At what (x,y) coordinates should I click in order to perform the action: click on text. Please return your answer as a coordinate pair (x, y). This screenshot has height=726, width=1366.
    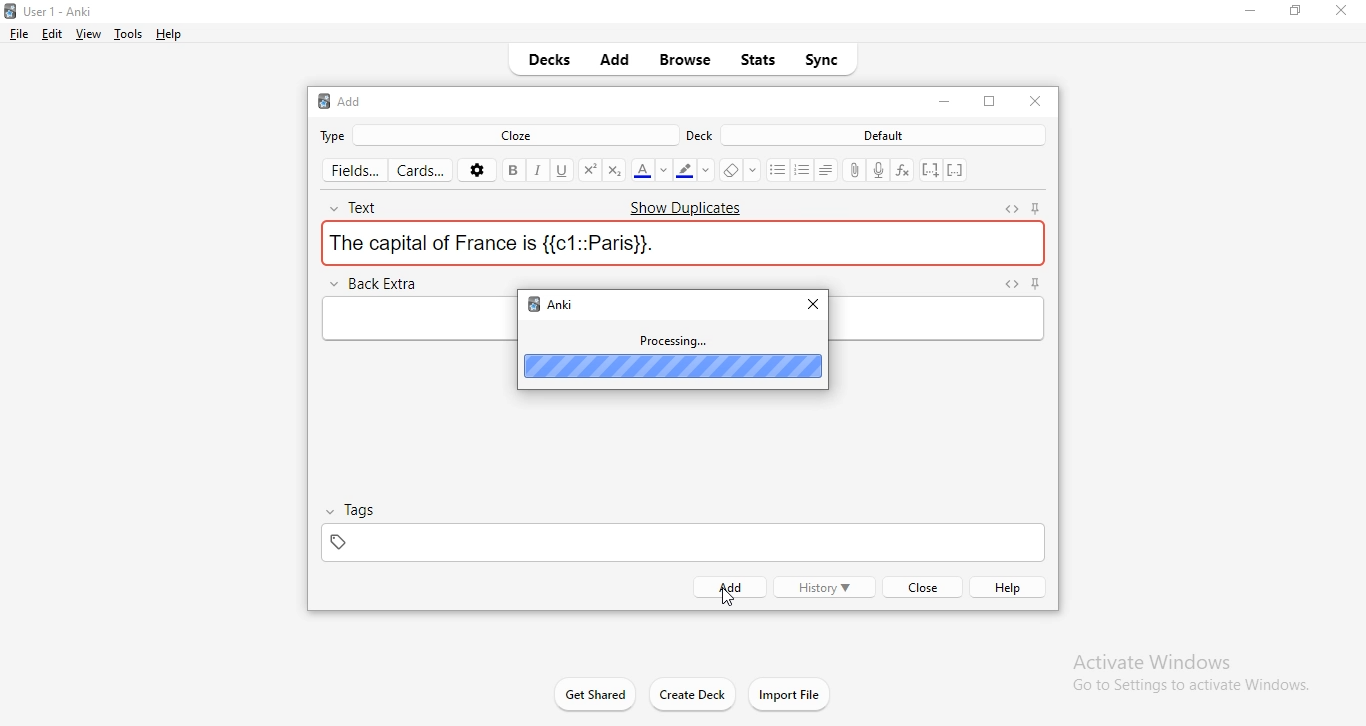
    Looking at the image, I should click on (367, 204).